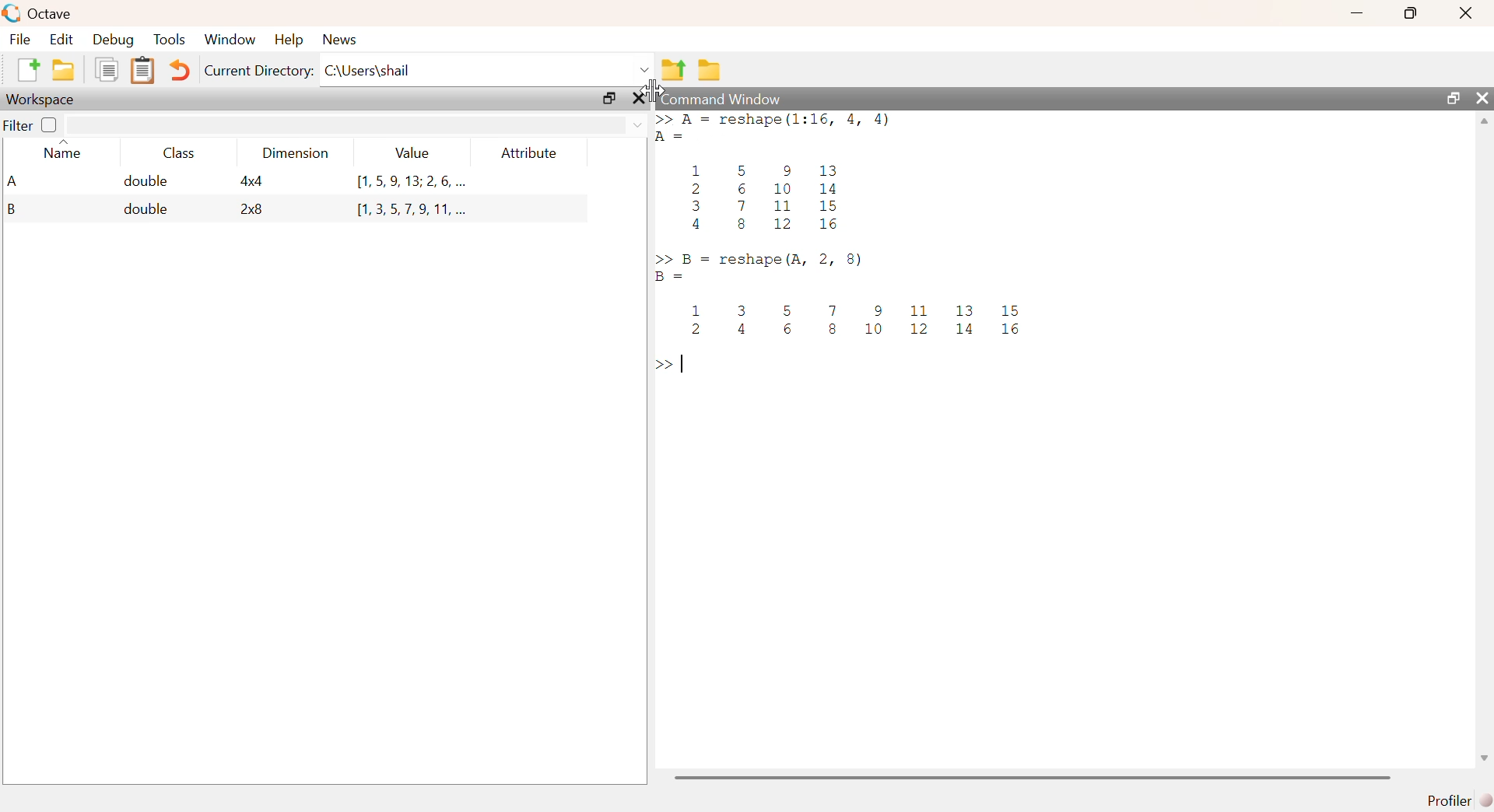  What do you see at coordinates (347, 39) in the screenshot?
I see `news` at bounding box center [347, 39].